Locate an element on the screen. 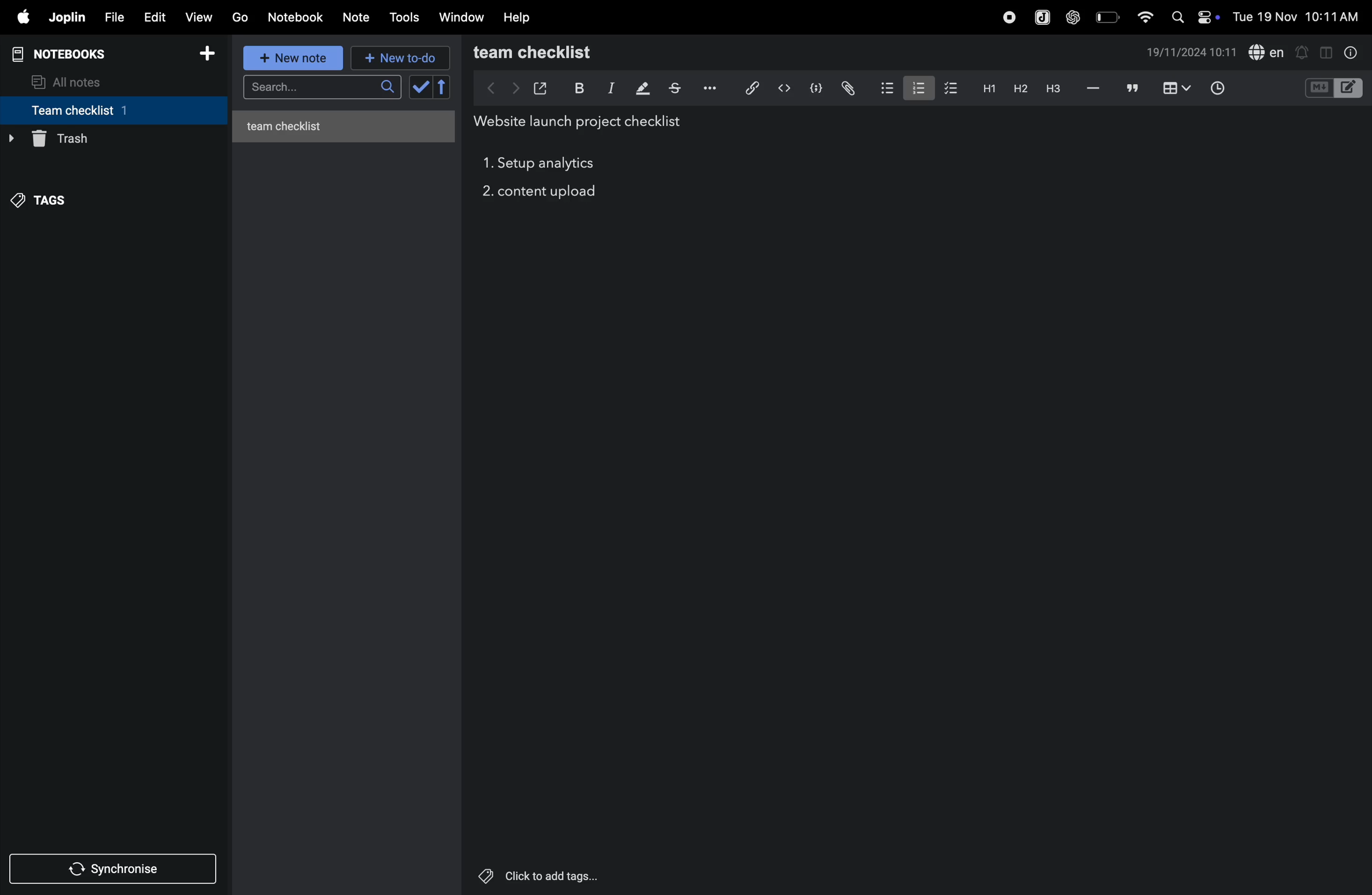 This screenshot has width=1372, height=895. battery is located at coordinates (1106, 17).